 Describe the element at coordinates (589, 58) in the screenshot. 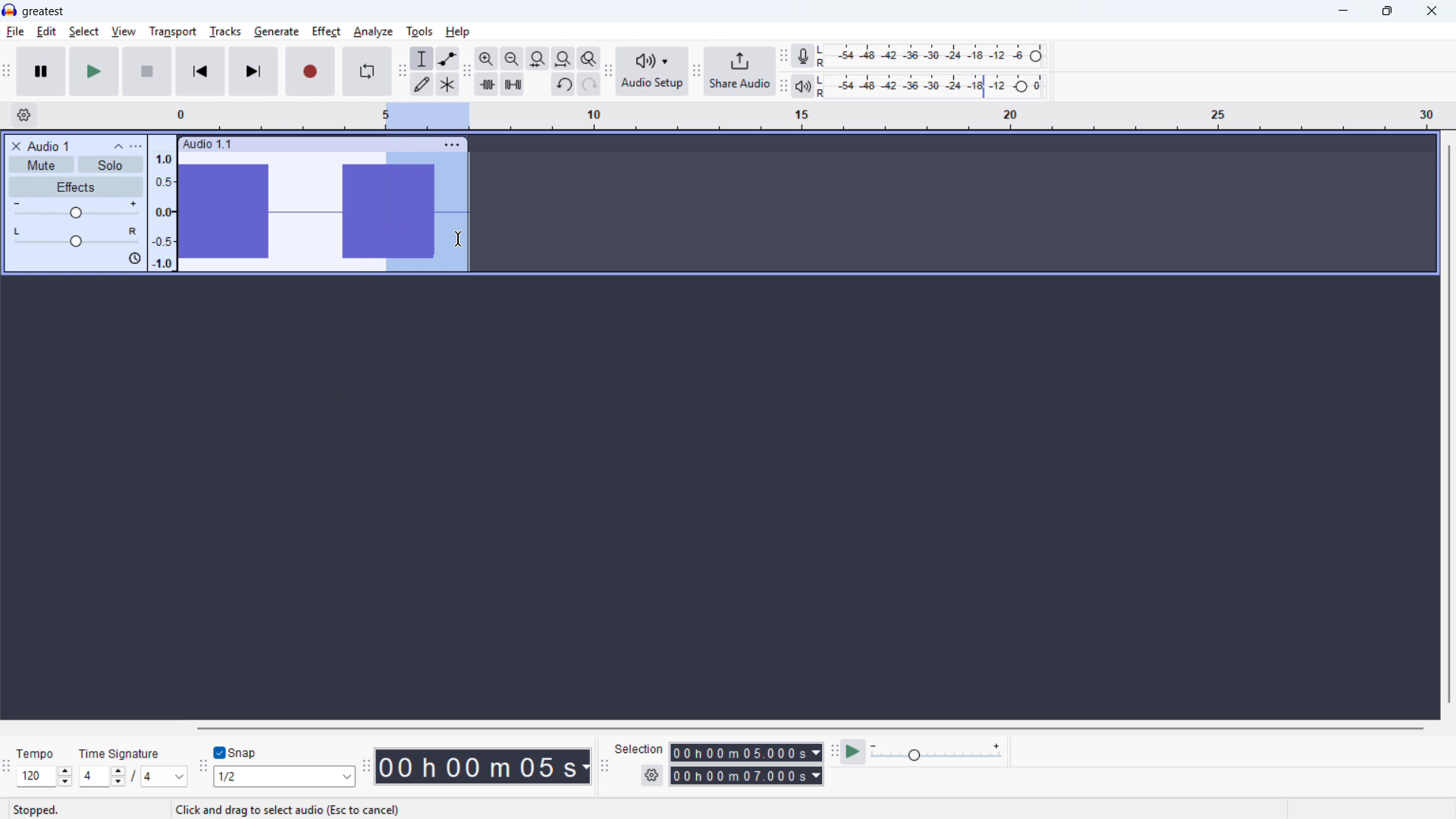

I see `Toggle zoom ` at that location.